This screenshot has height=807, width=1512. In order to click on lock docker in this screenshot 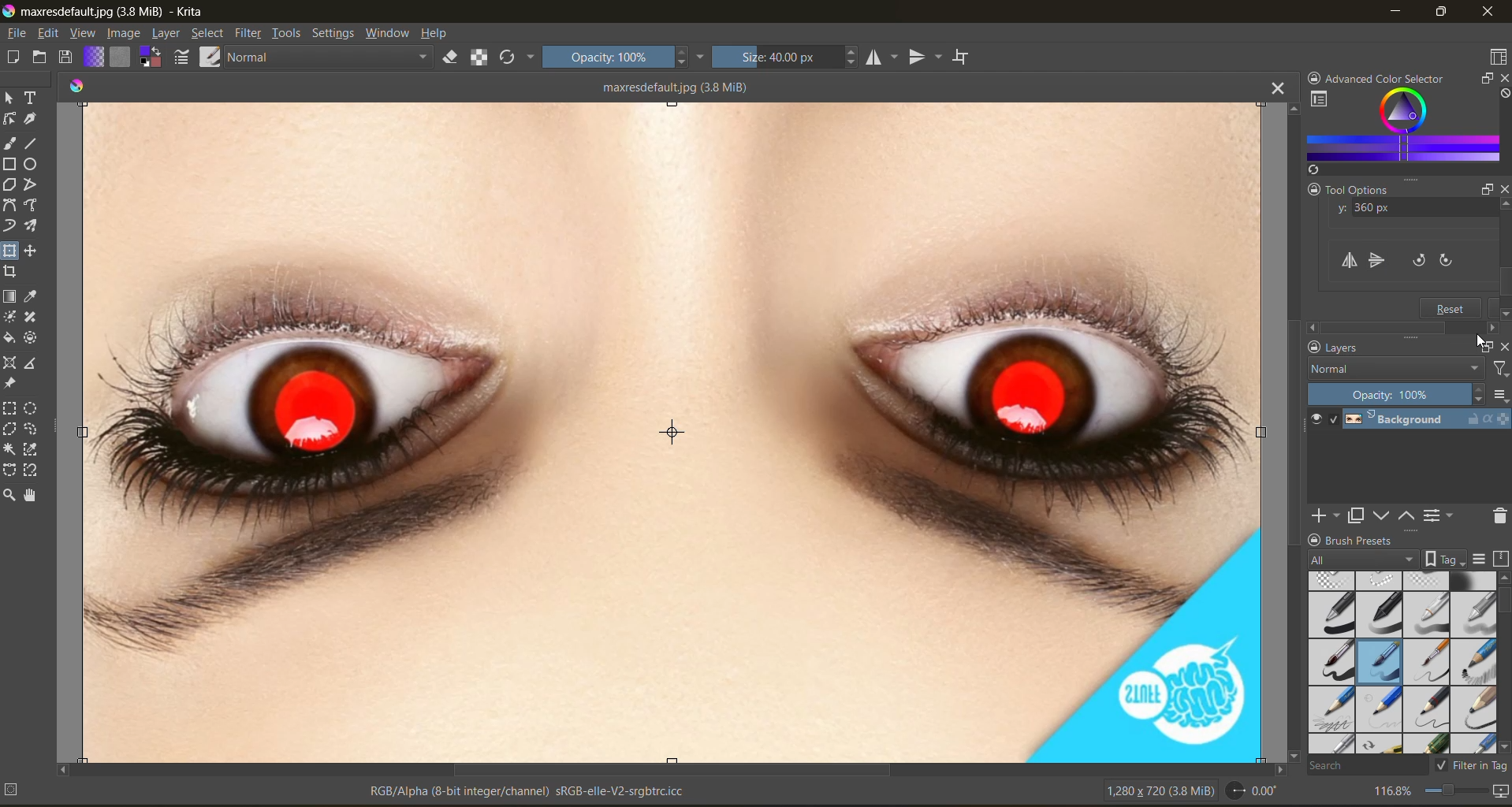, I will do `click(1315, 347)`.